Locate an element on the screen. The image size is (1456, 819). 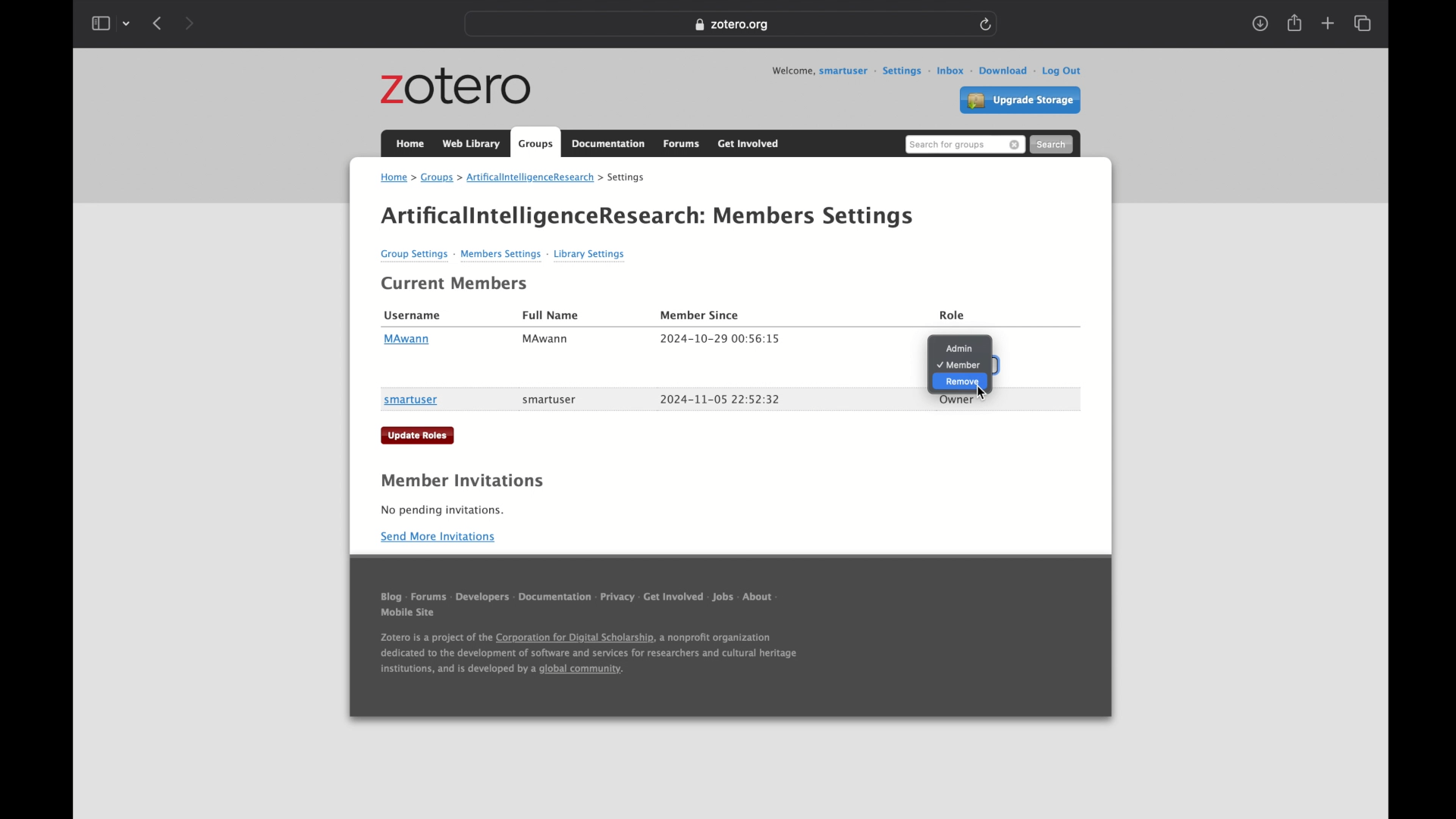
no pending invitations is located at coordinates (442, 510).